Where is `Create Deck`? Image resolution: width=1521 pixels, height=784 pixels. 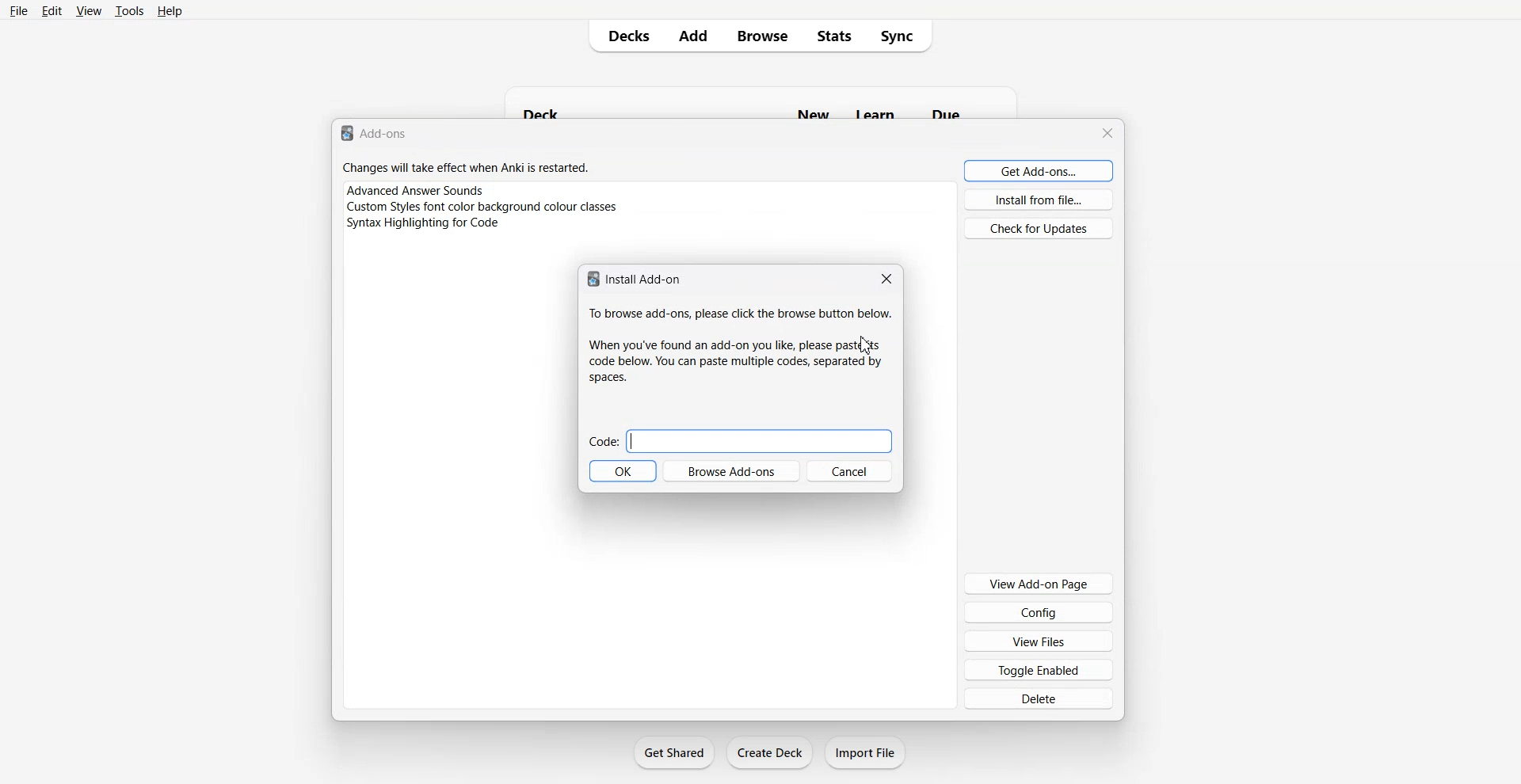
Create Deck is located at coordinates (769, 752).